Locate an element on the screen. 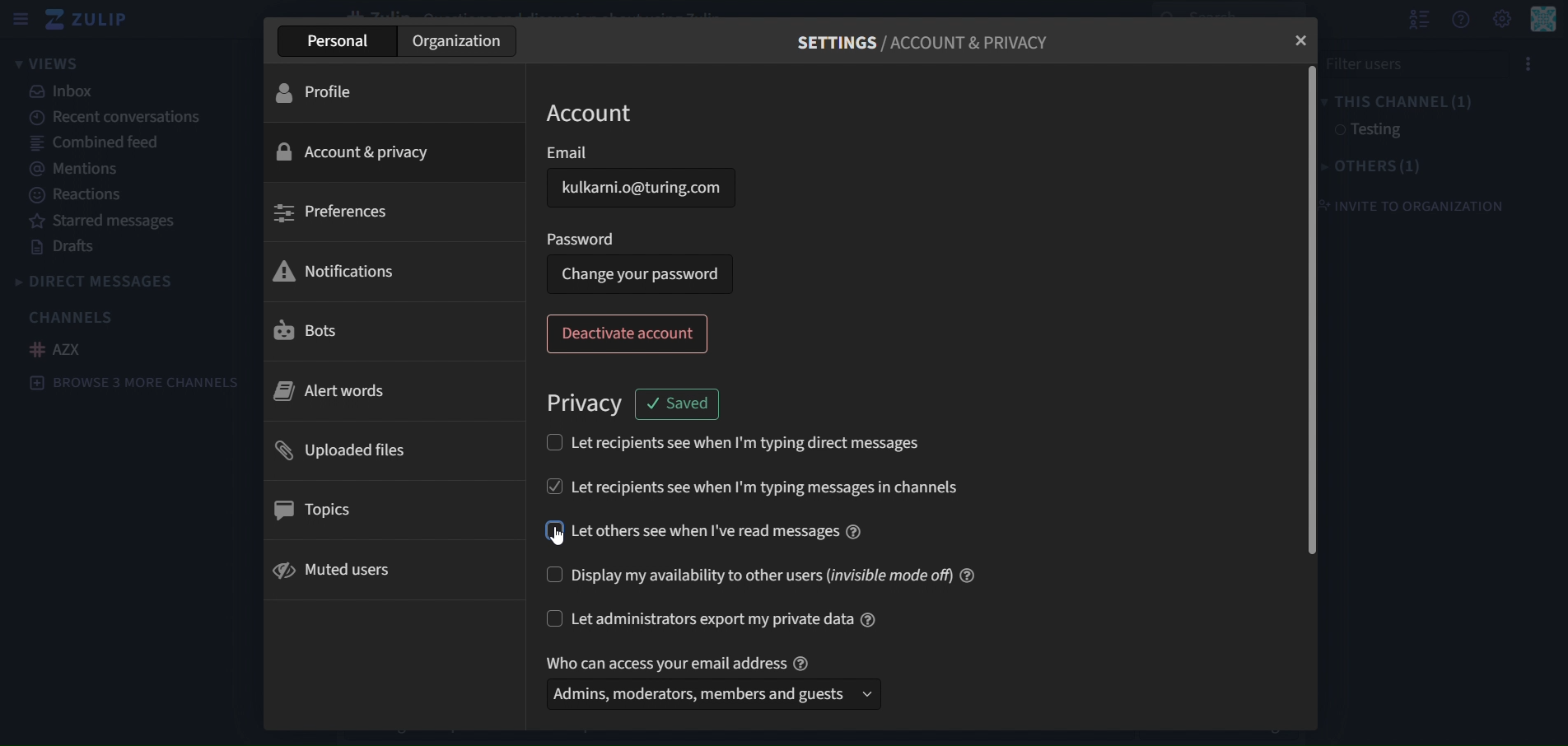  display my availability is located at coordinates (784, 574).